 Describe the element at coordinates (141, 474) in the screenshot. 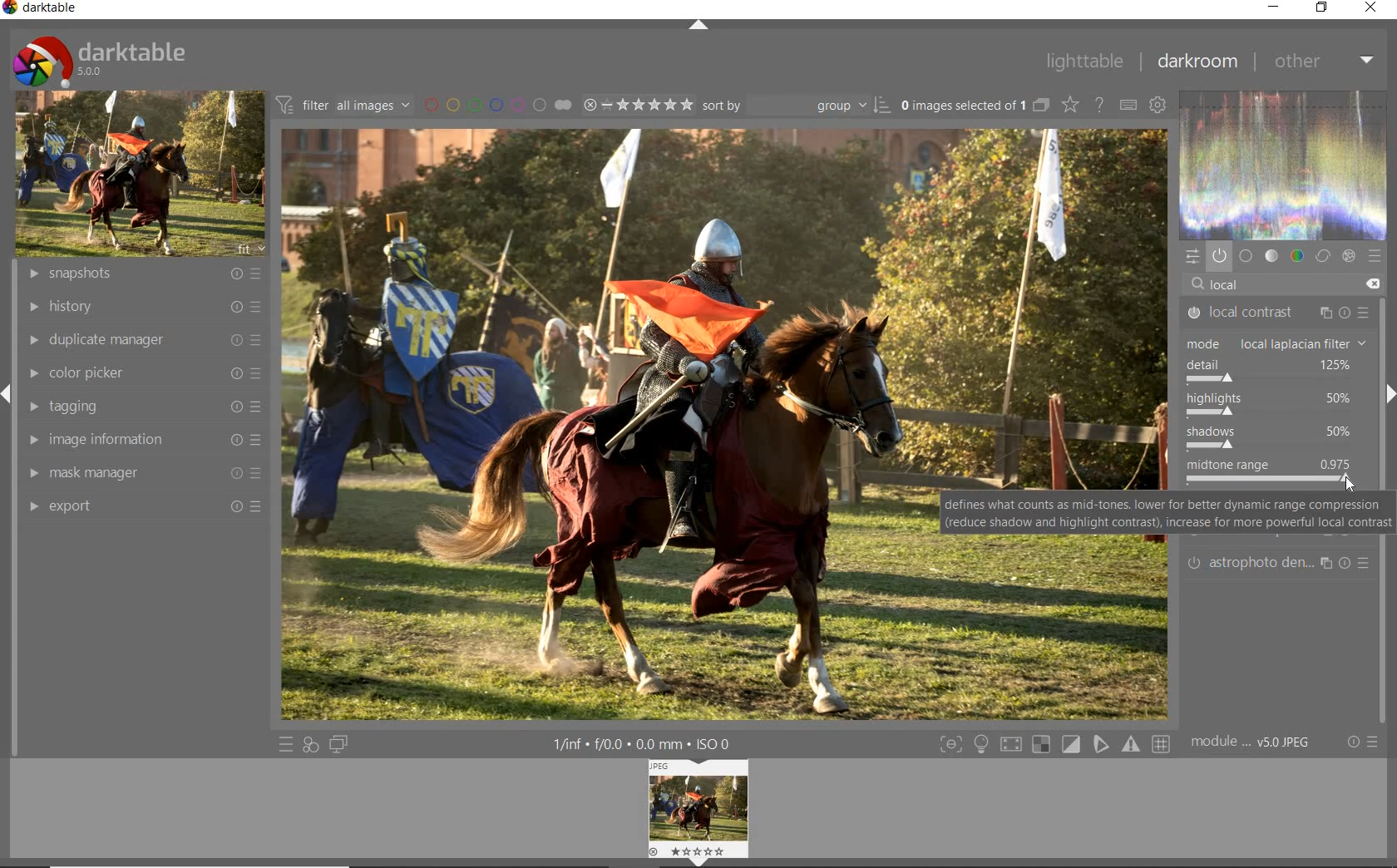

I see `mask manager` at that location.